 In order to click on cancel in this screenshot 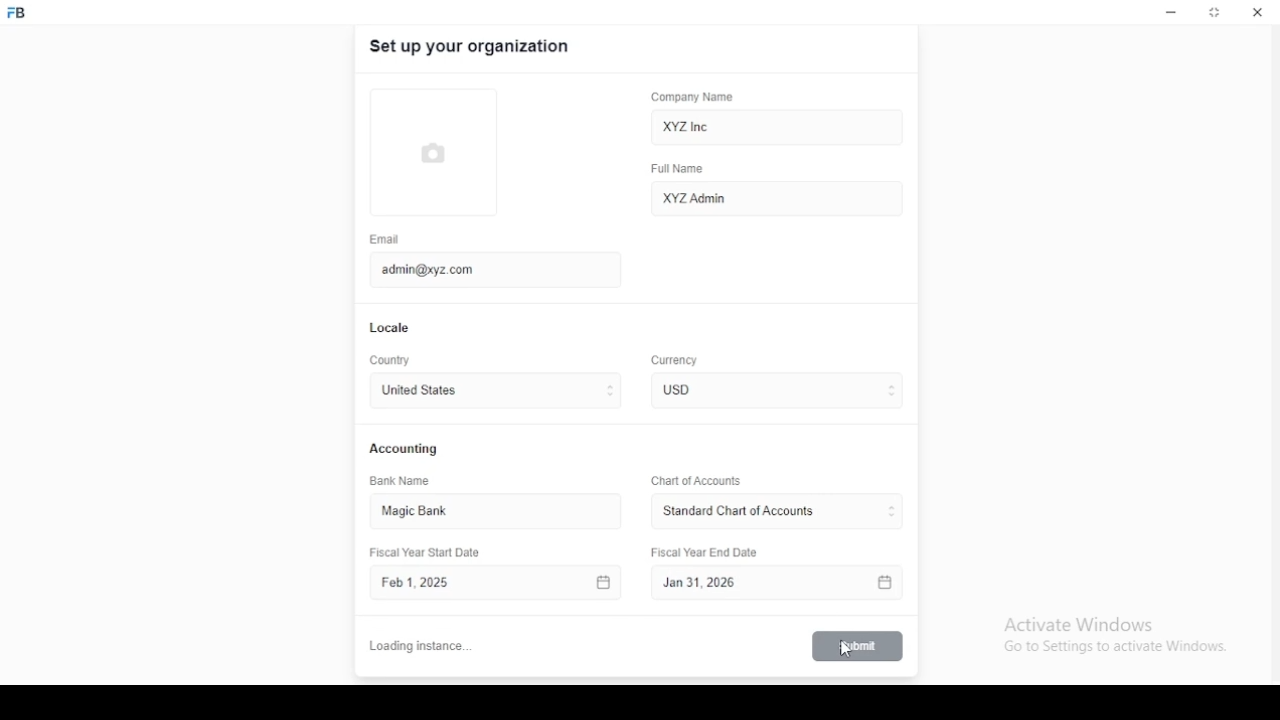, I will do `click(415, 647)`.